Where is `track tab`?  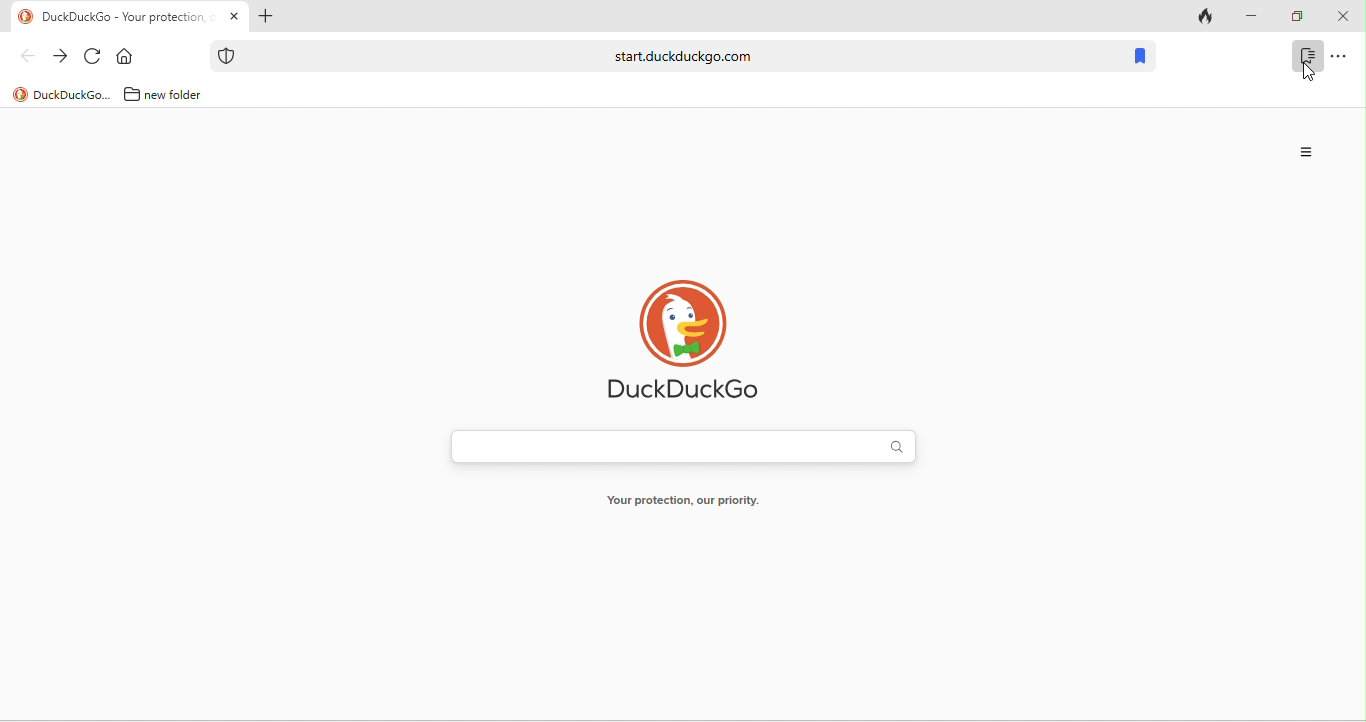 track tab is located at coordinates (1205, 18).